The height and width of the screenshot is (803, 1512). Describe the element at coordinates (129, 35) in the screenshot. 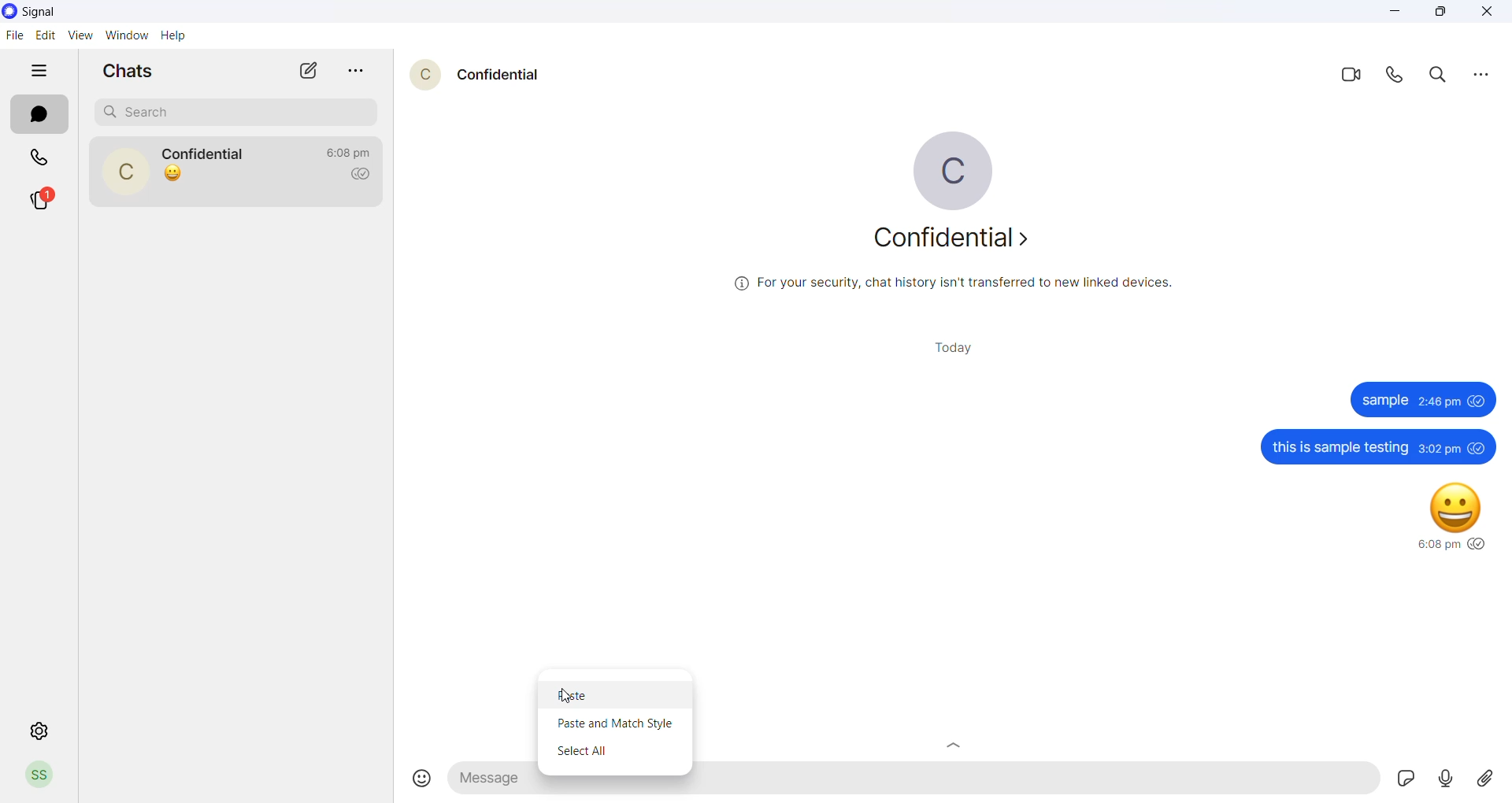

I see `window` at that location.